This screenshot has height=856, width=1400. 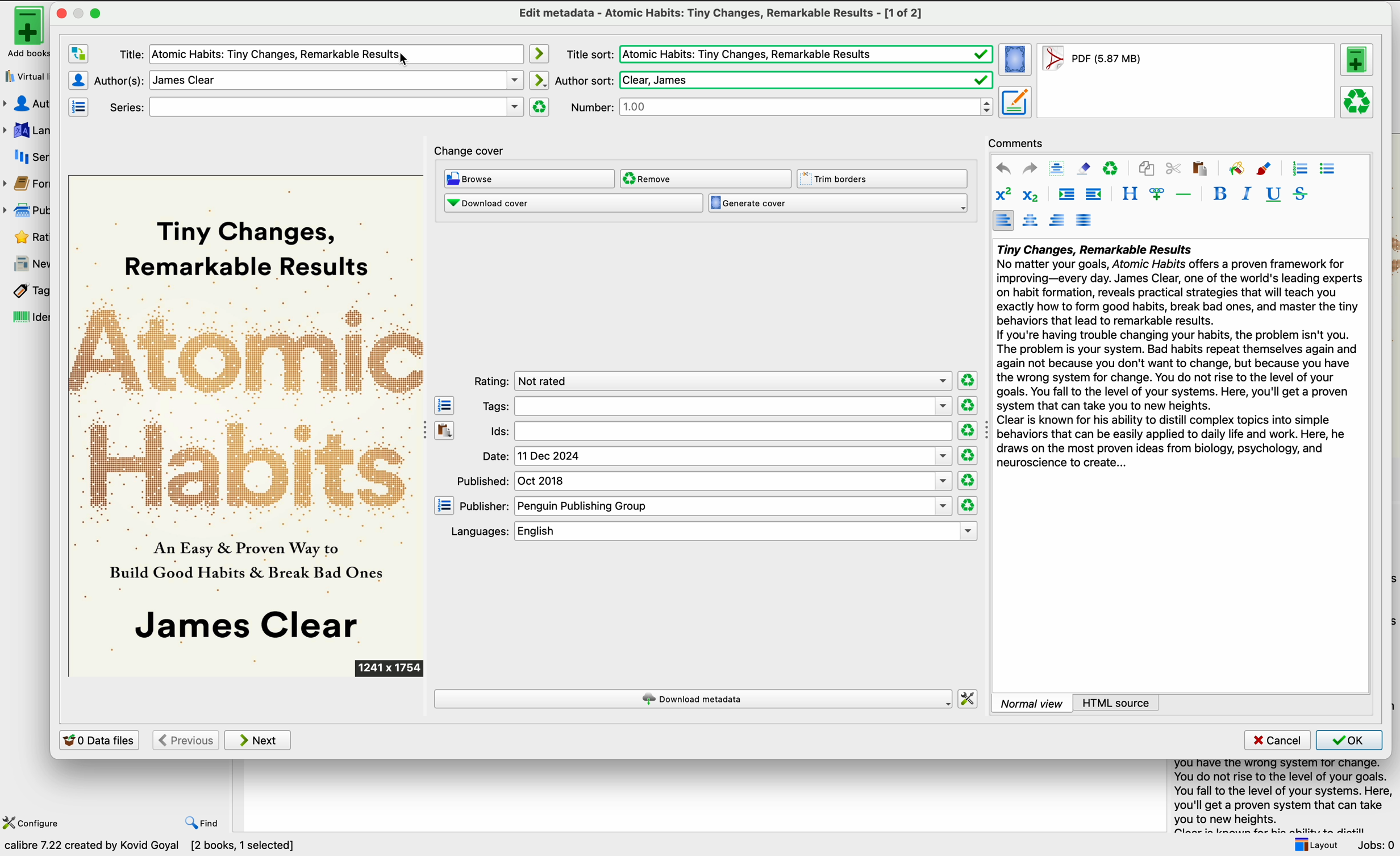 I want to click on underline, so click(x=1274, y=195).